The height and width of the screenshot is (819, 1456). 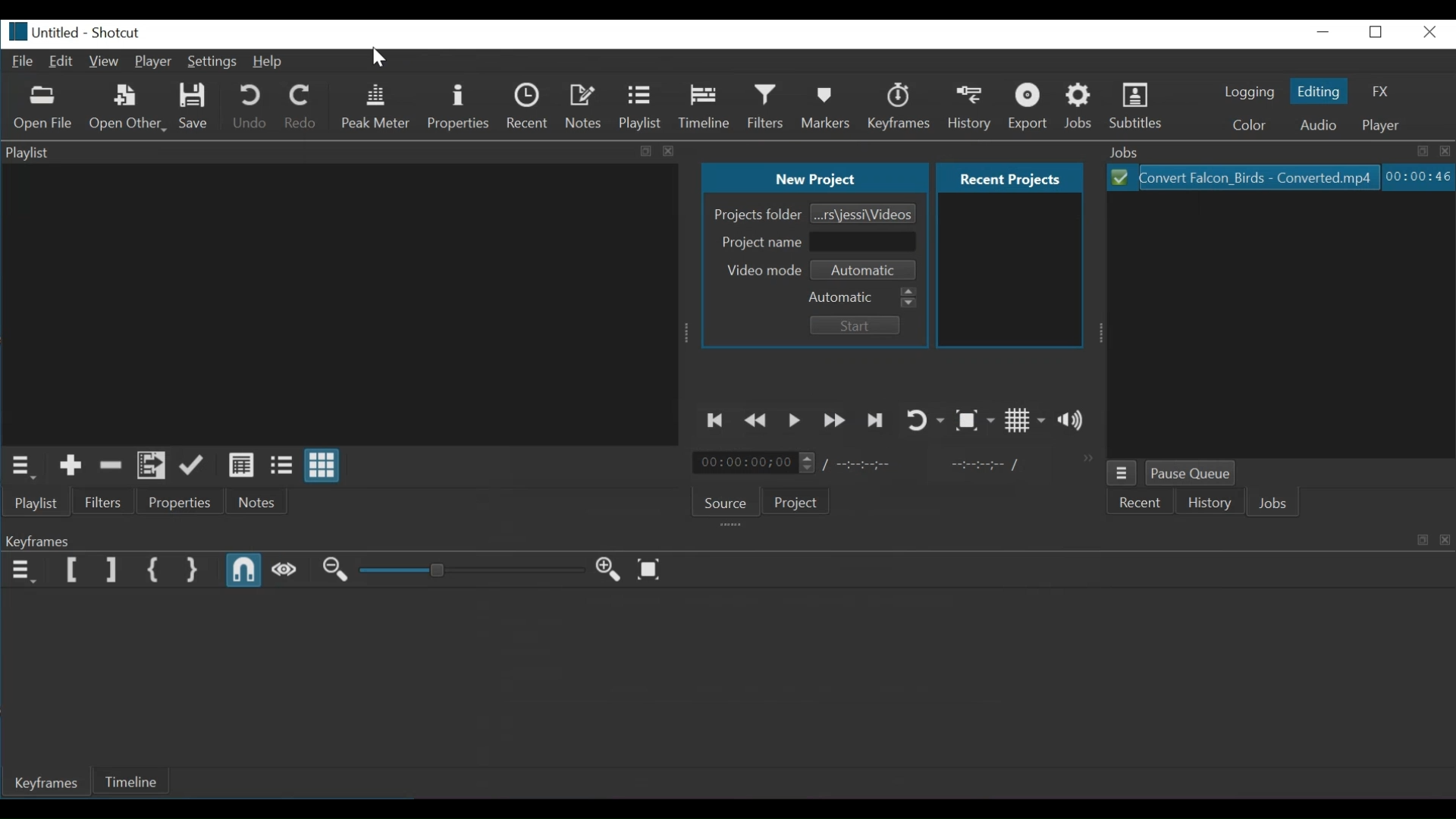 What do you see at coordinates (281, 466) in the screenshot?
I see `View as files` at bounding box center [281, 466].